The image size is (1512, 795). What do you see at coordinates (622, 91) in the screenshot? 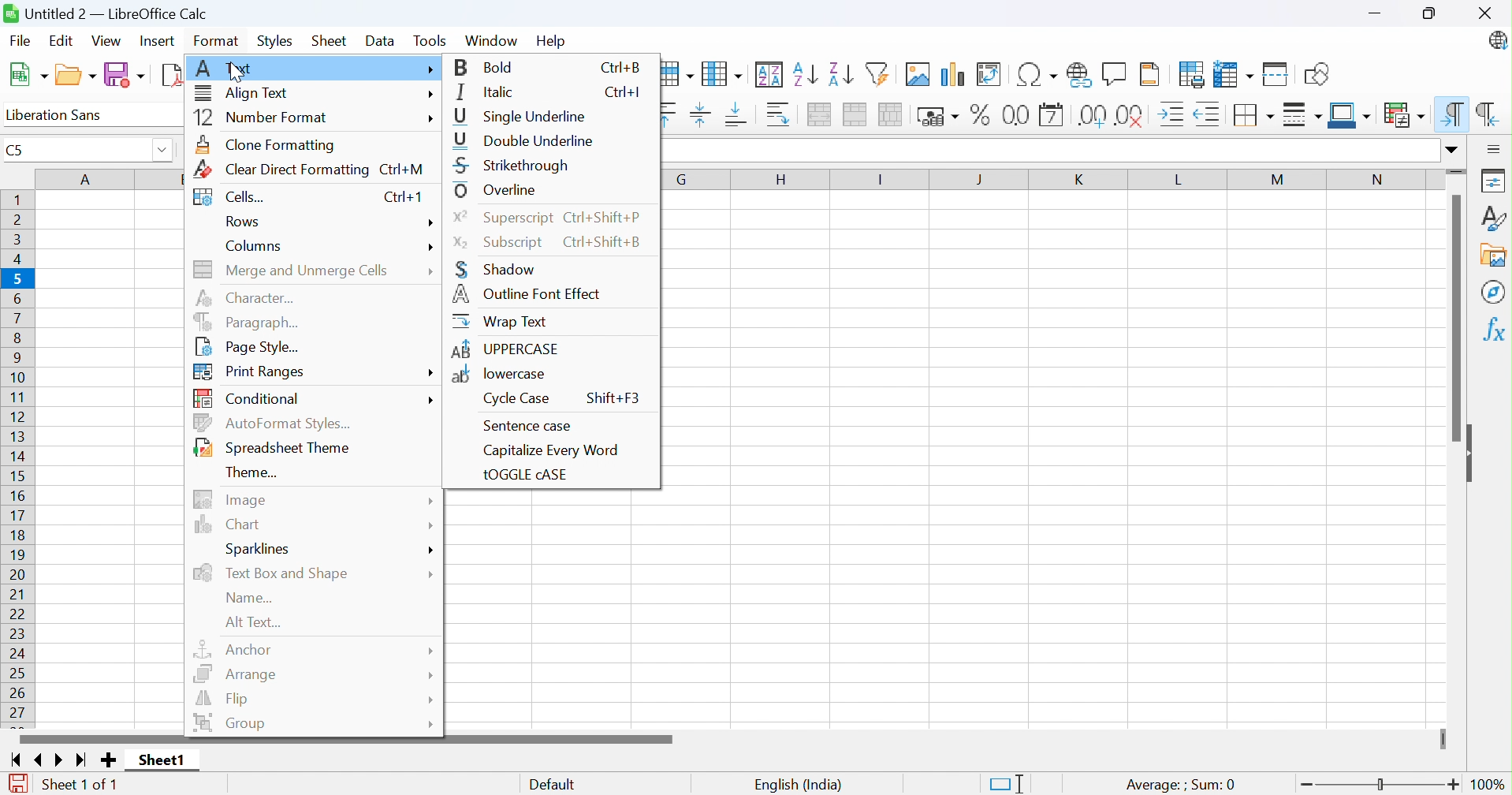
I see `Ctrl+I` at bounding box center [622, 91].